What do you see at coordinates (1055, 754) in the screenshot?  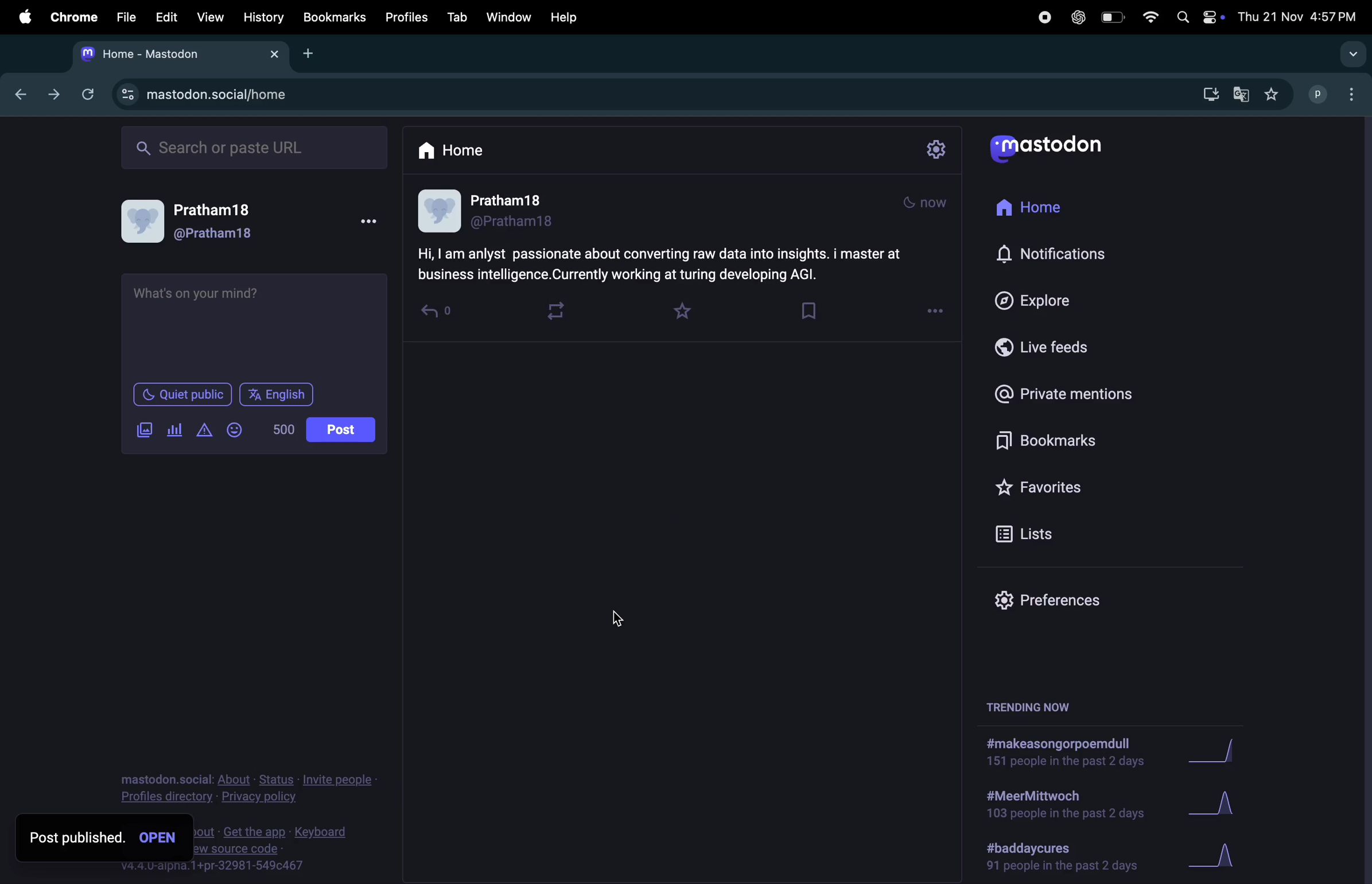 I see `hashtag` at bounding box center [1055, 754].